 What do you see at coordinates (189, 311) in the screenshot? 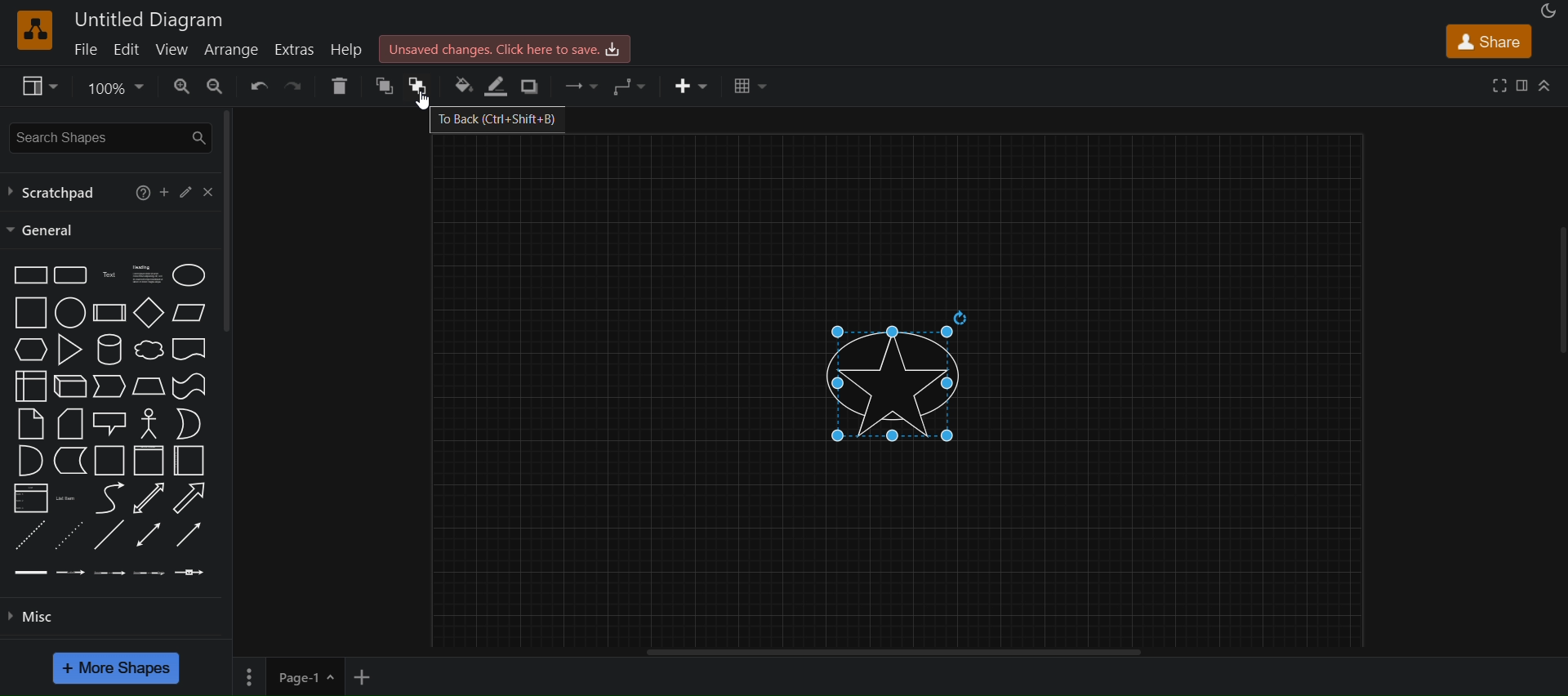
I see `paralleogram` at bounding box center [189, 311].